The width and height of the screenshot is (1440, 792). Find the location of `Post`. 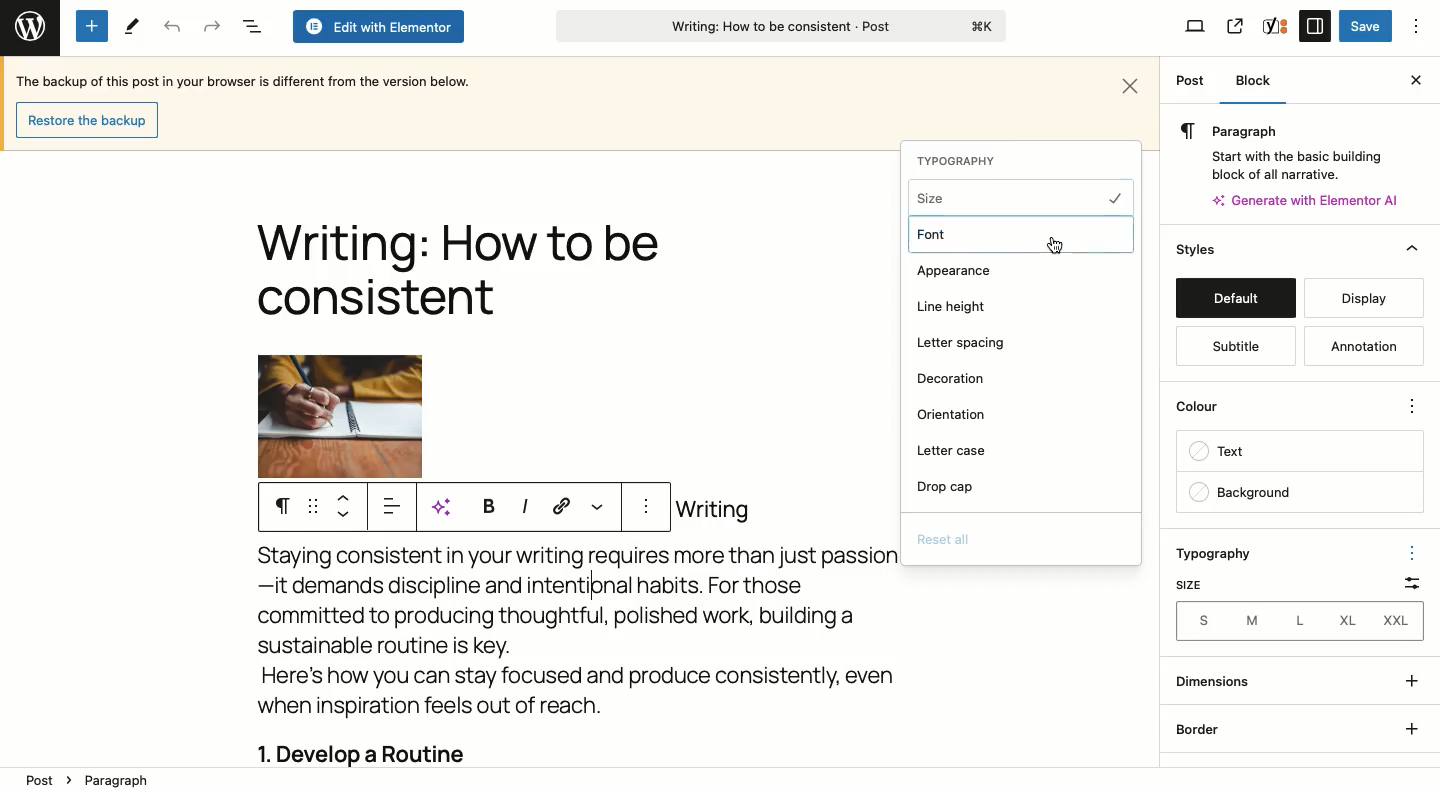

Post is located at coordinates (1190, 82).